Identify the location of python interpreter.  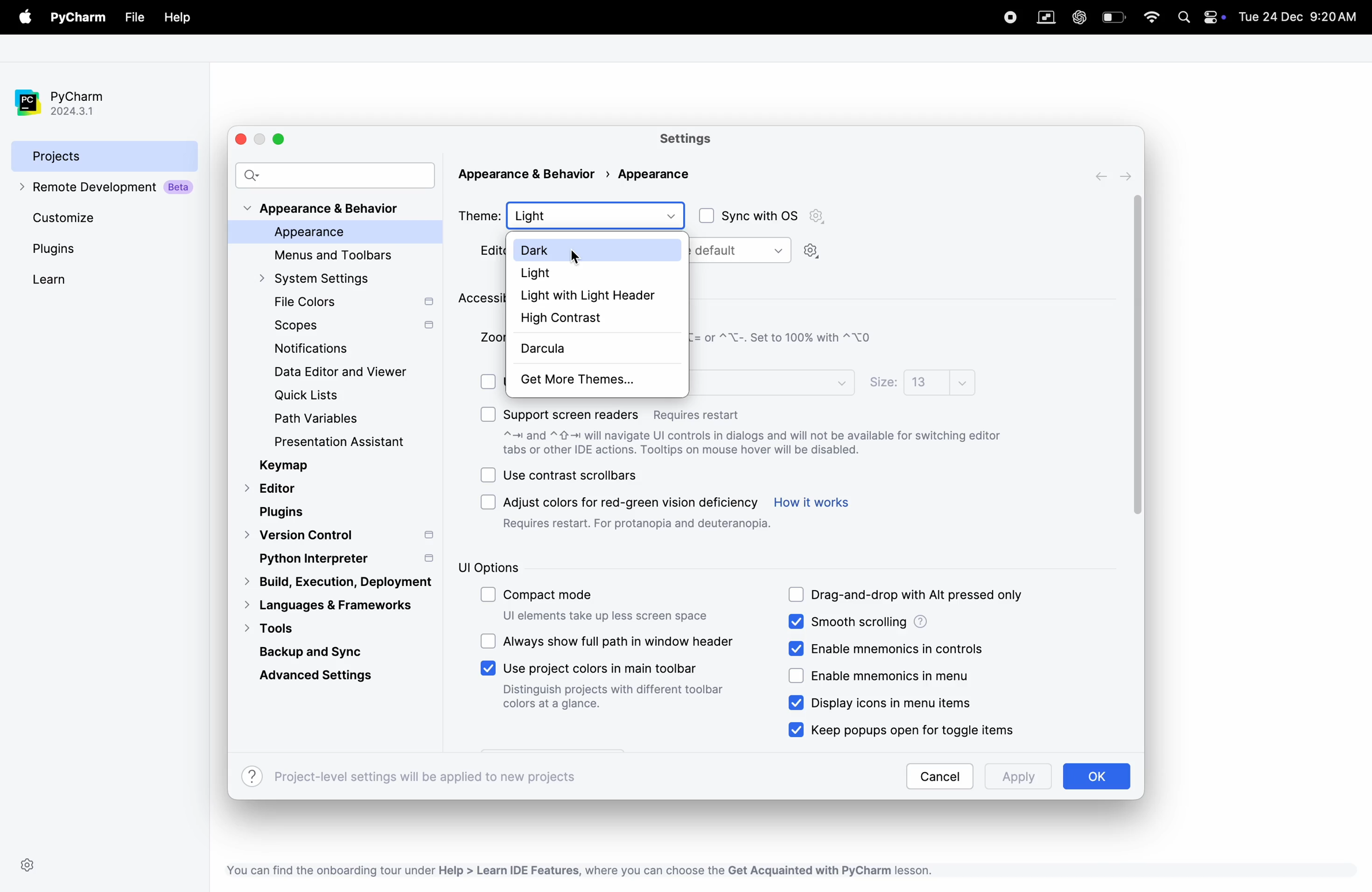
(344, 558).